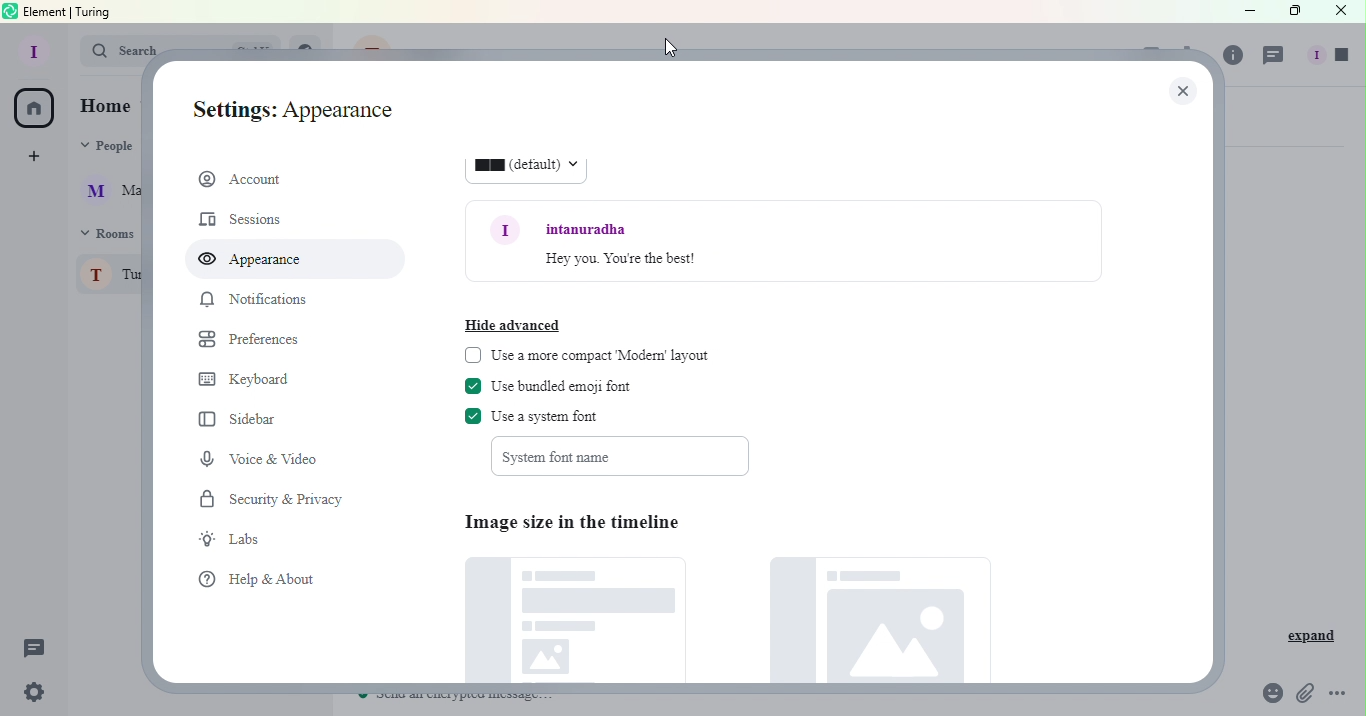  What do you see at coordinates (565, 415) in the screenshot?
I see `Use system font` at bounding box center [565, 415].